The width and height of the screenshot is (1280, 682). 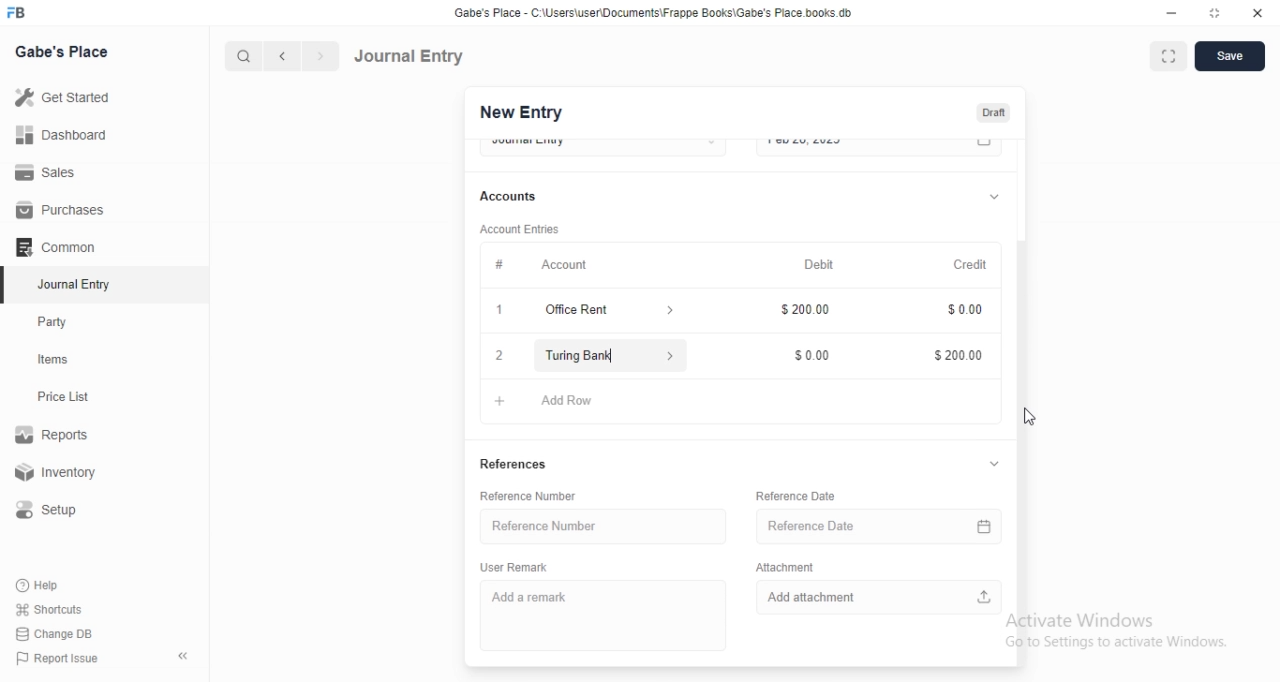 What do you see at coordinates (510, 566) in the screenshot?
I see `User Remark.` at bounding box center [510, 566].